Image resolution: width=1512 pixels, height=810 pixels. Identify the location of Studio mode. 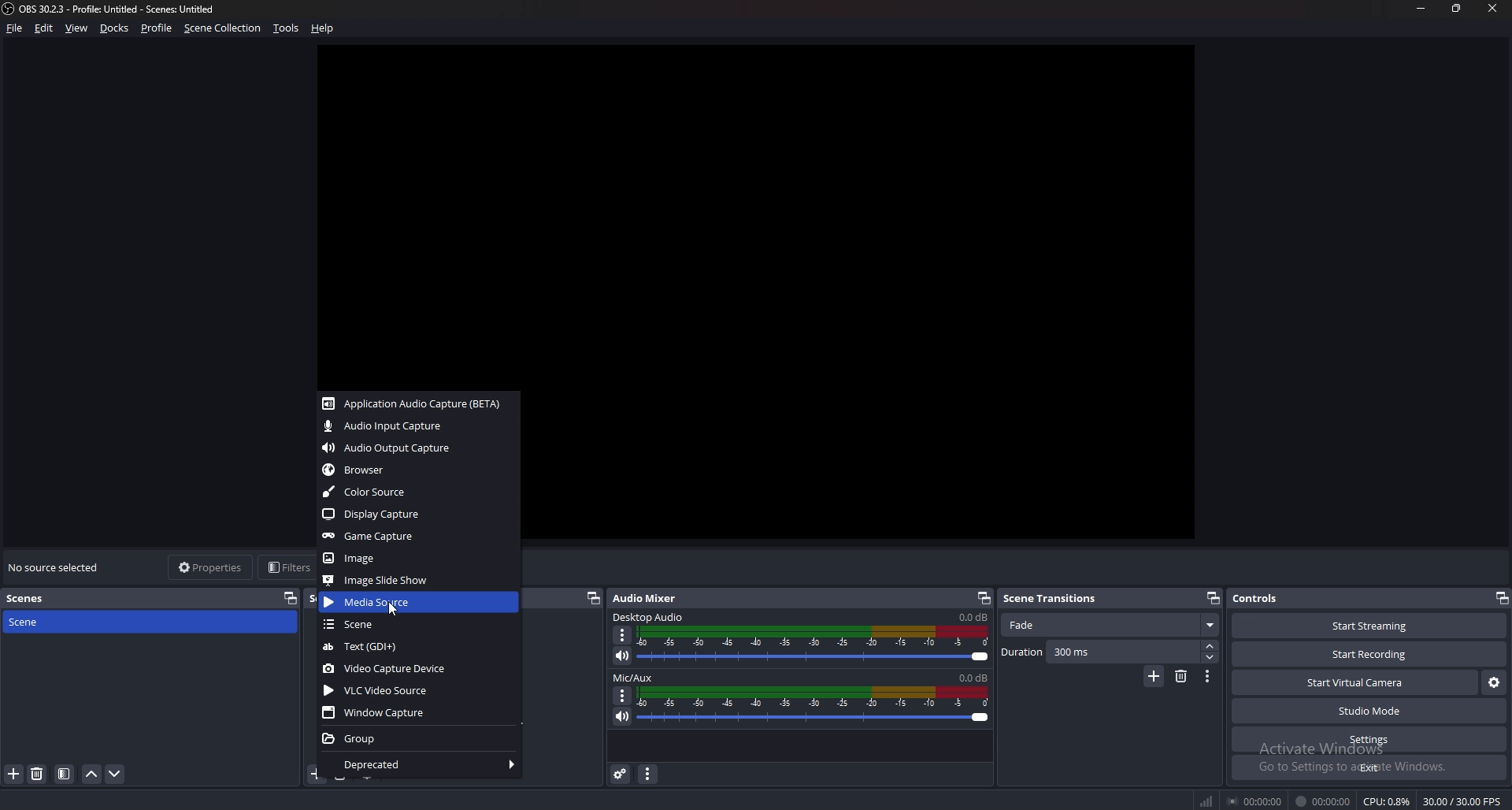
(1370, 711).